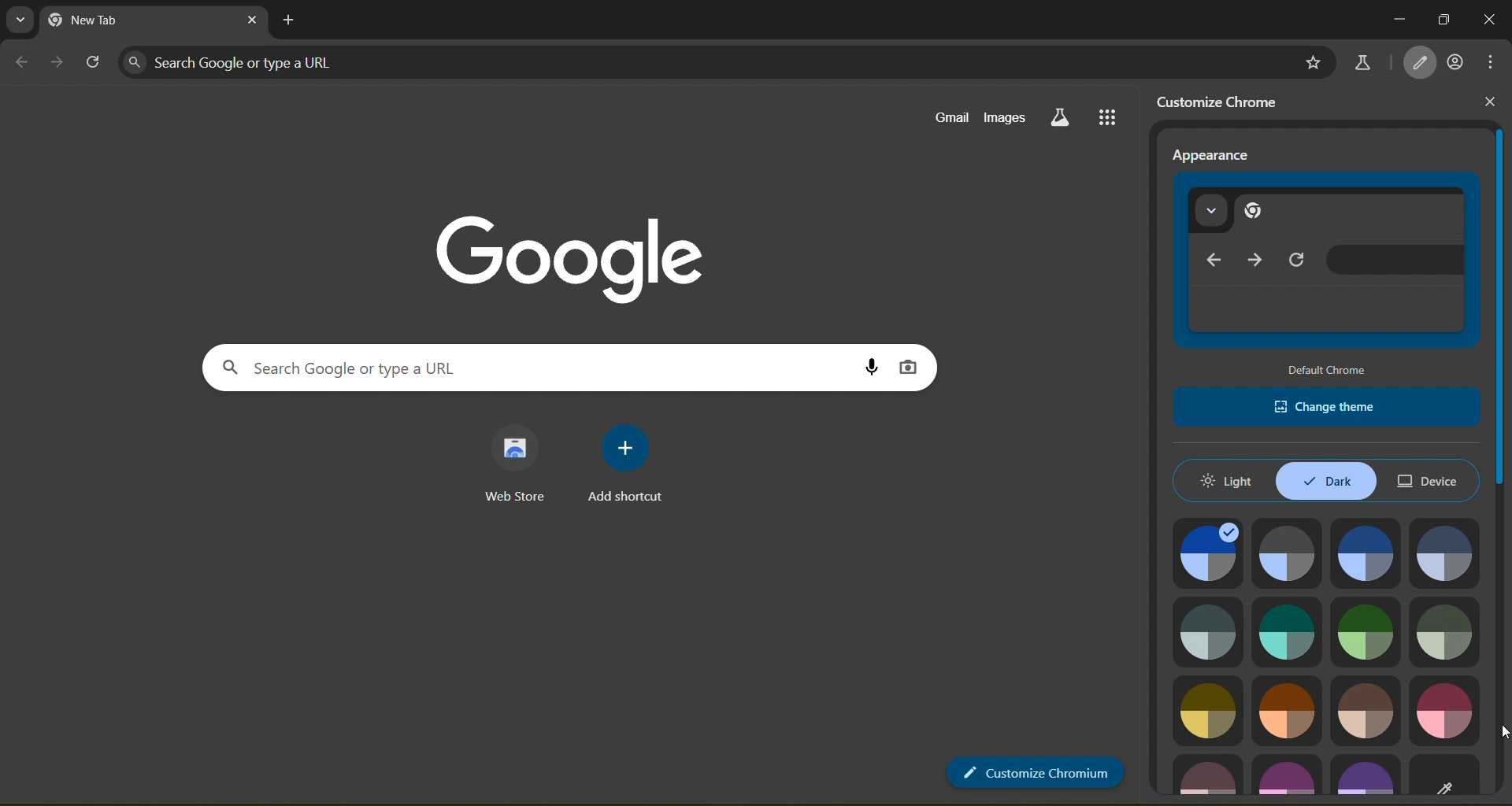  What do you see at coordinates (1492, 61) in the screenshot?
I see `menu` at bounding box center [1492, 61].